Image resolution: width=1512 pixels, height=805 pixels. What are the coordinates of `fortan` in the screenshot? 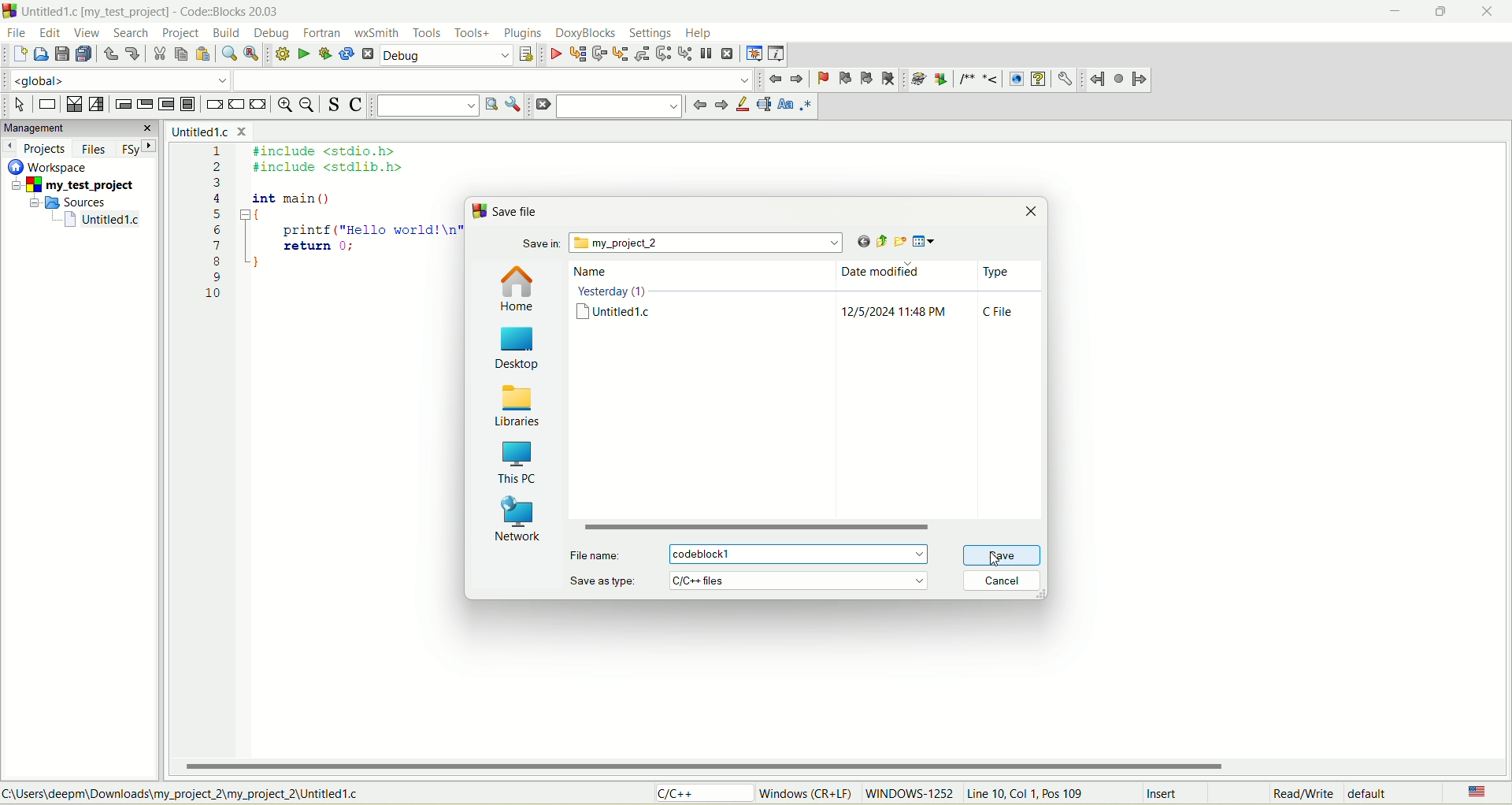 It's located at (324, 33).